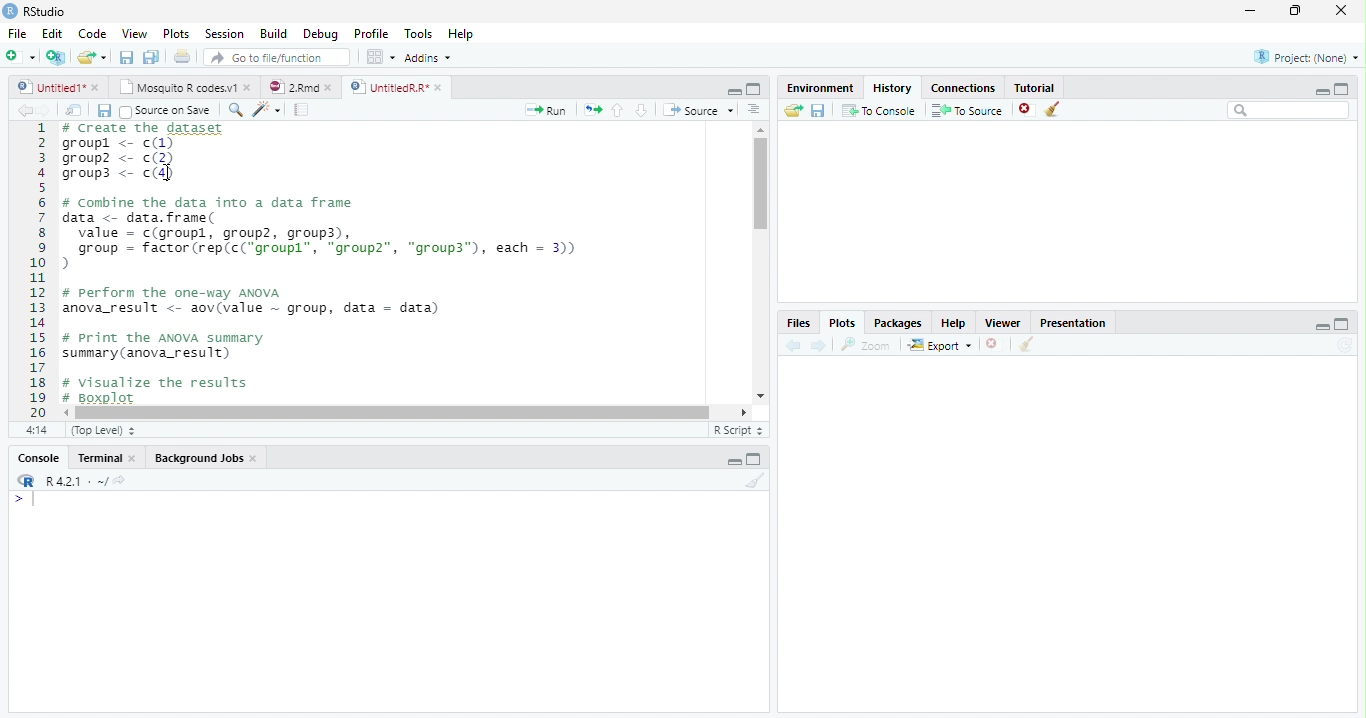  What do you see at coordinates (758, 263) in the screenshot?
I see `Scrollbar` at bounding box center [758, 263].